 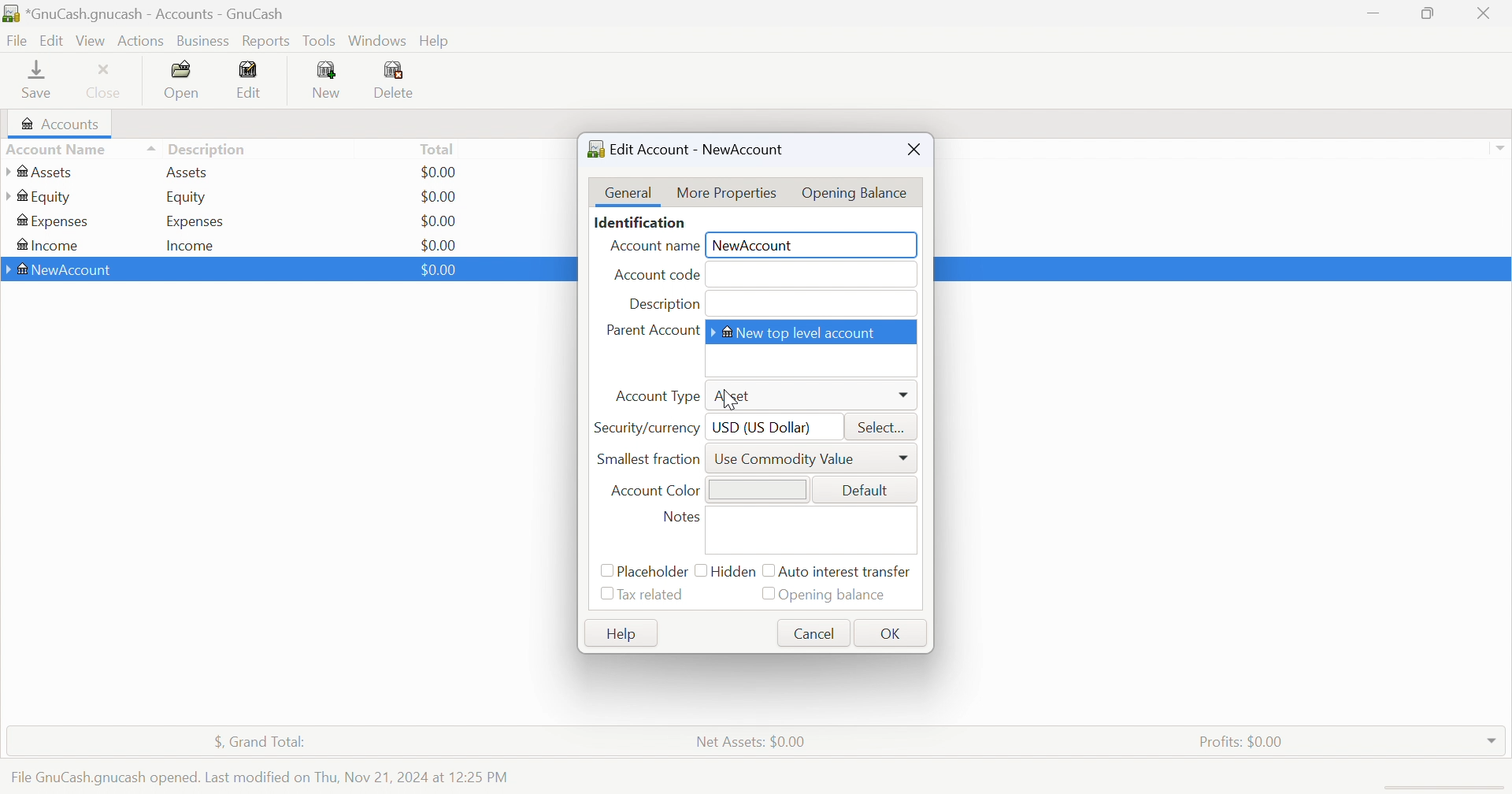 I want to click on File GnuCash.gnucash opened. Last modified on Thu, Nov 21, 2024 at 12:25 PM, so click(x=259, y=774).